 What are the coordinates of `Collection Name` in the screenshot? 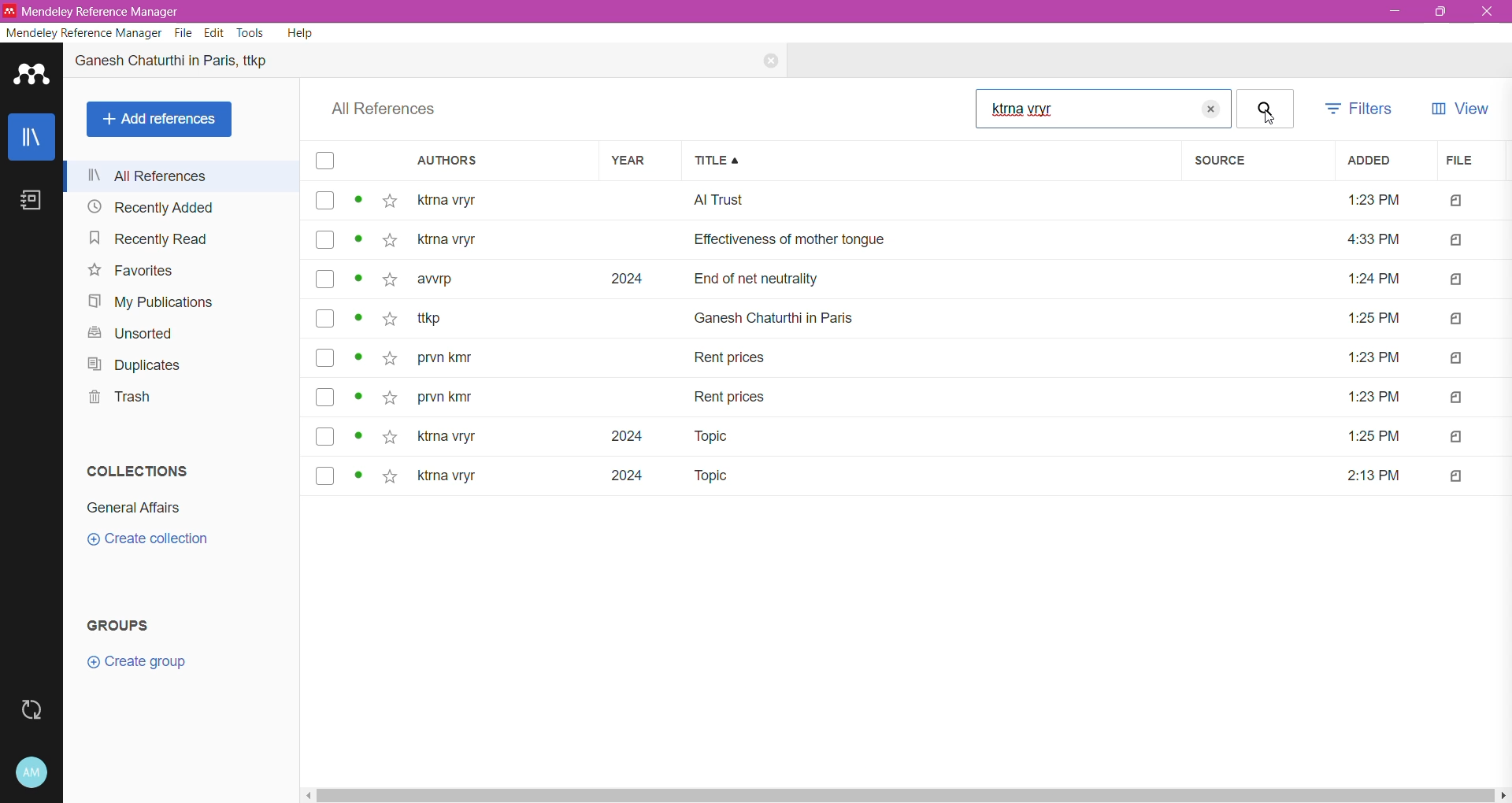 It's located at (133, 509).